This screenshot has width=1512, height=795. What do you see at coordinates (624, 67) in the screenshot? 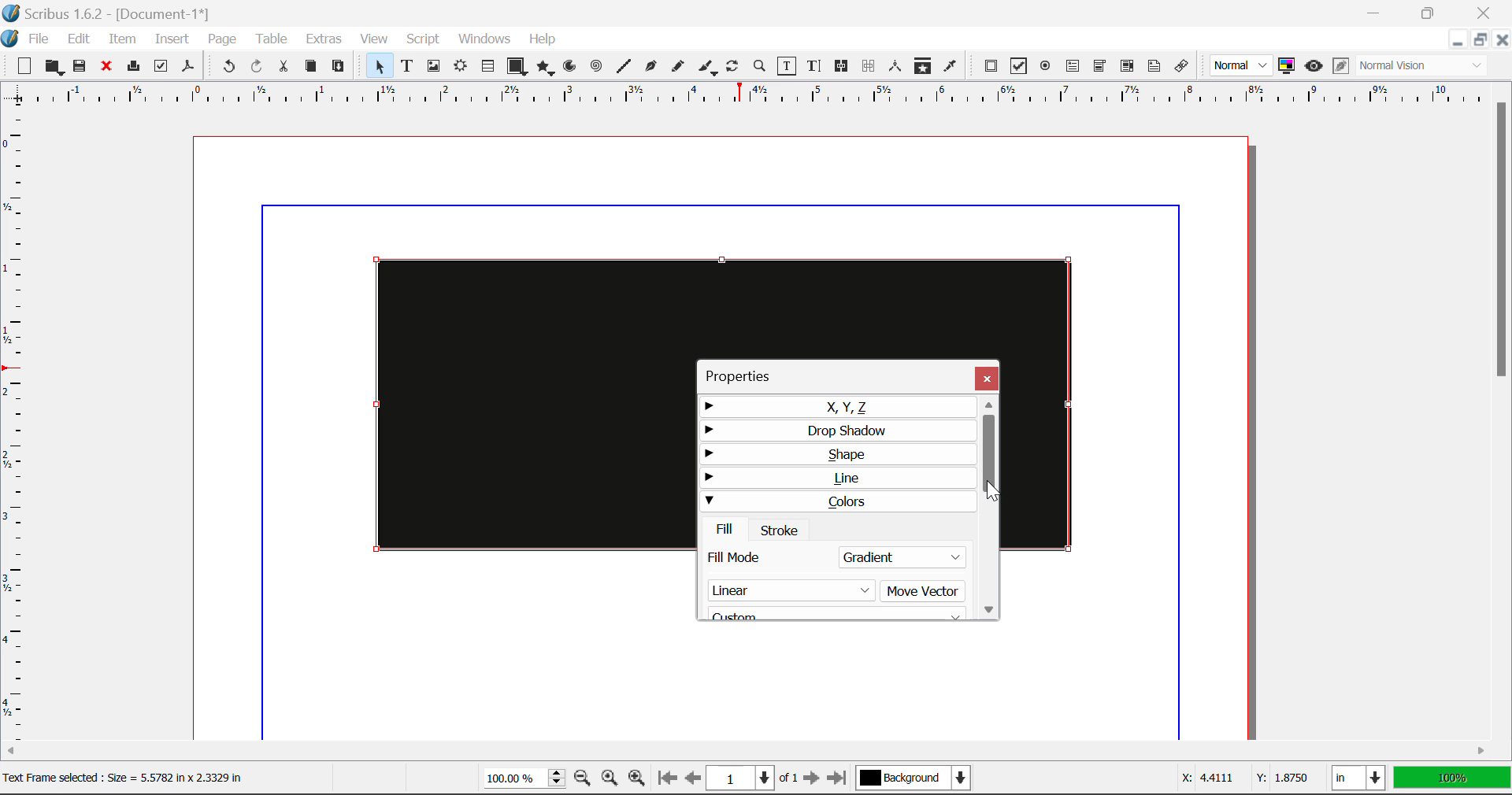
I see `Line` at bounding box center [624, 67].